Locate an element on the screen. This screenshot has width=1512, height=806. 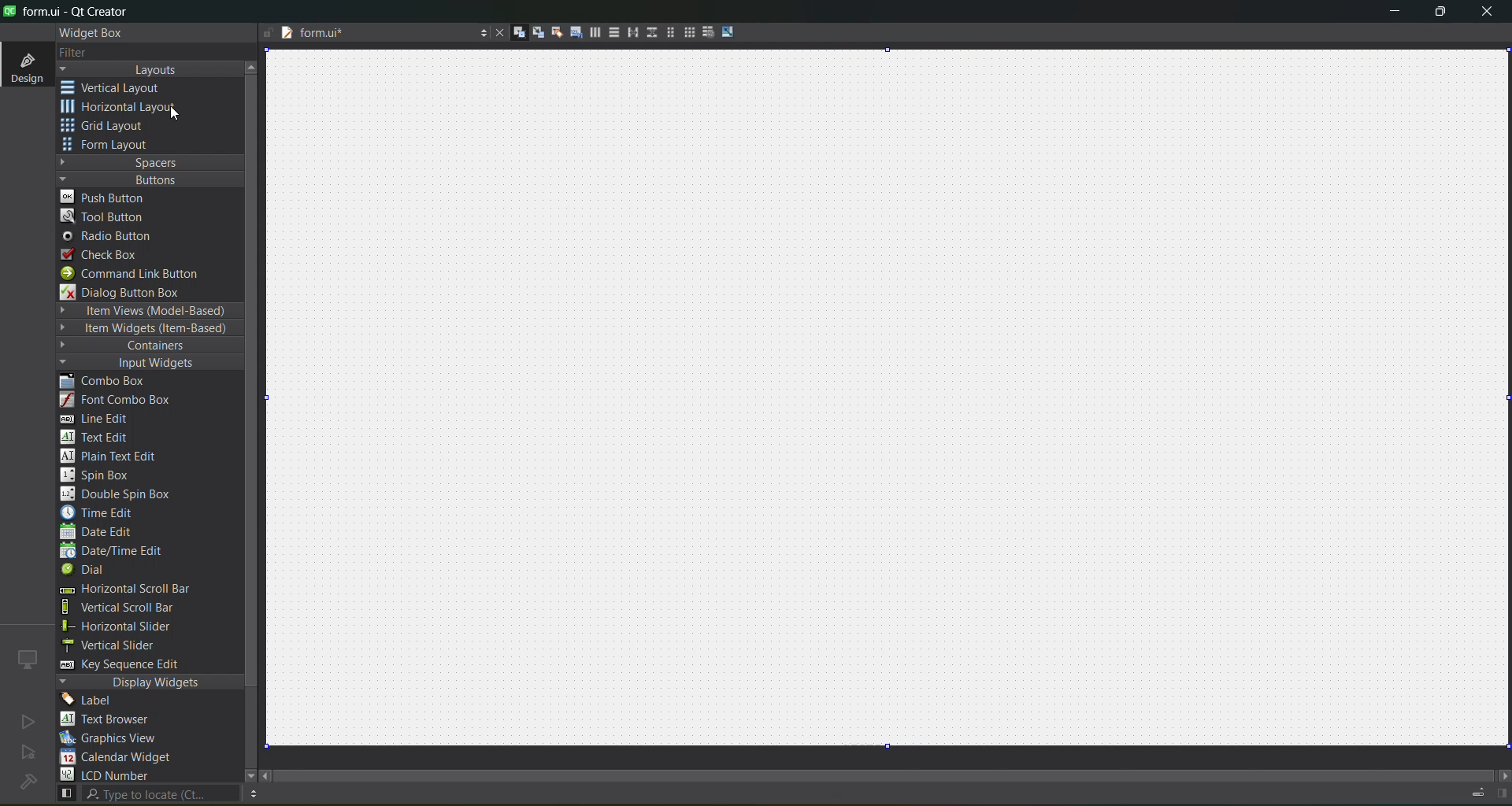
move right is located at coordinates (1503, 777).